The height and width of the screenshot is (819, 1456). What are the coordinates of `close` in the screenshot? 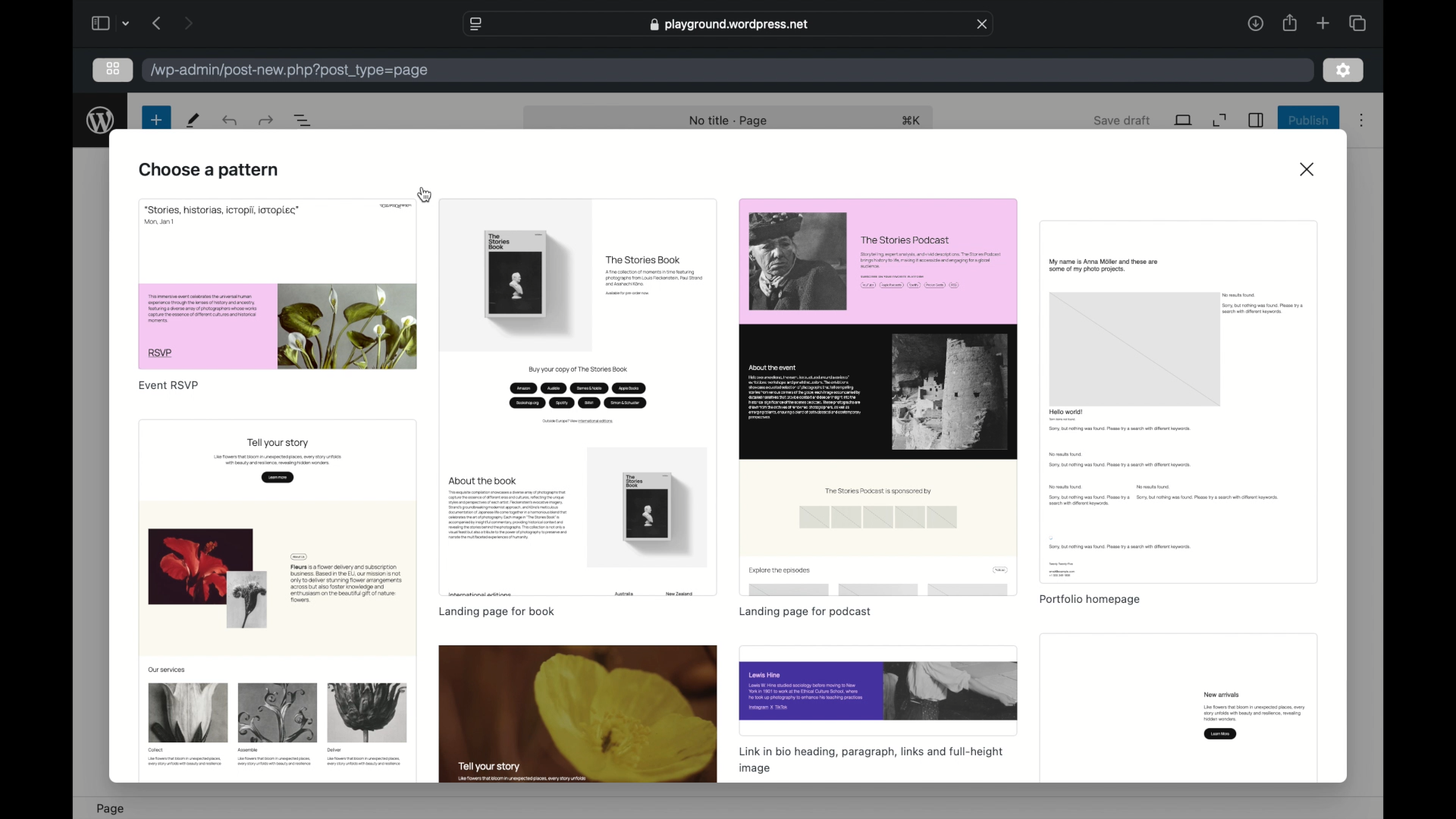 It's located at (984, 24).